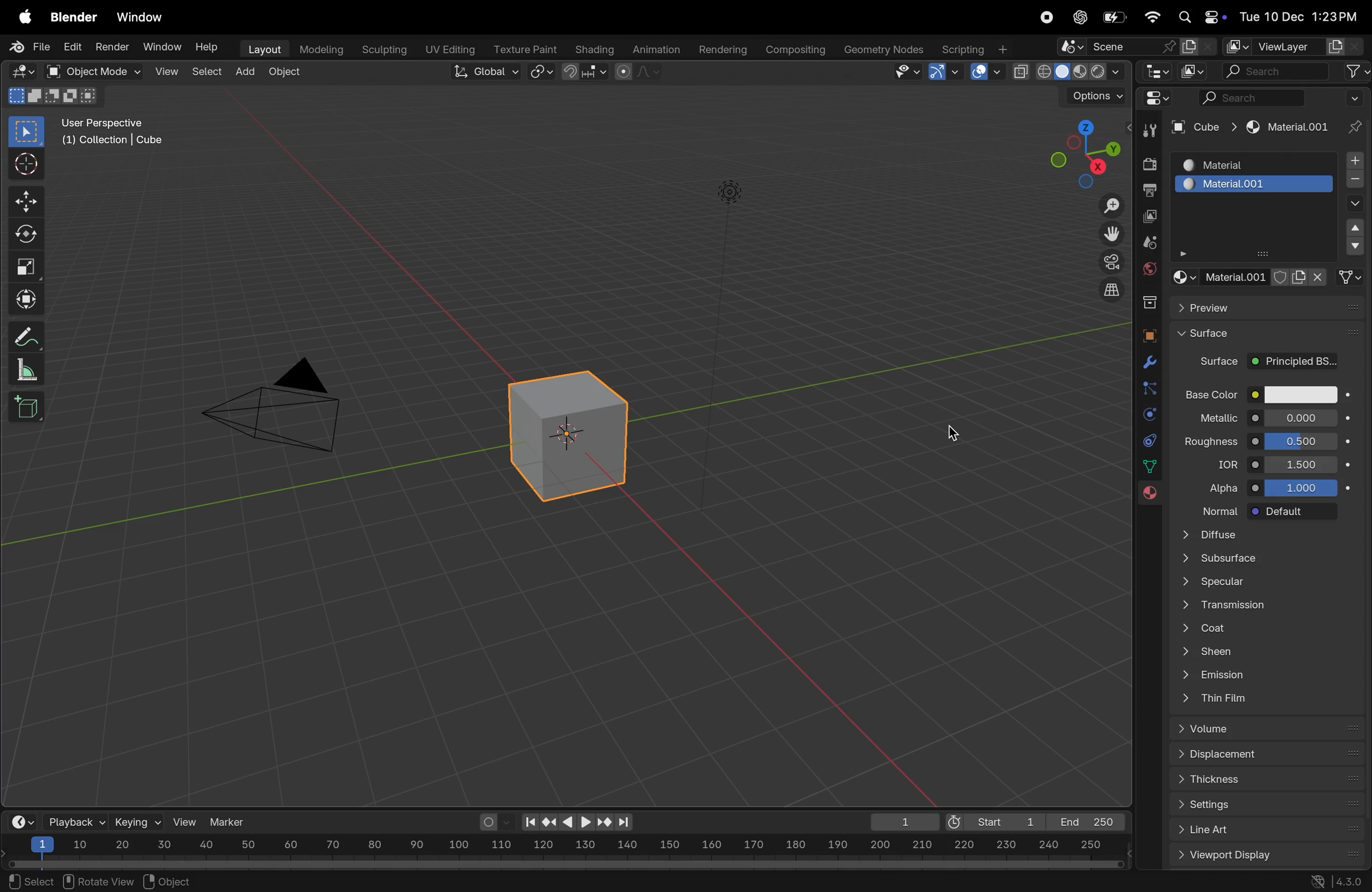 This screenshot has height=892, width=1372. Describe the element at coordinates (1146, 364) in the screenshot. I see `modifiers` at that location.